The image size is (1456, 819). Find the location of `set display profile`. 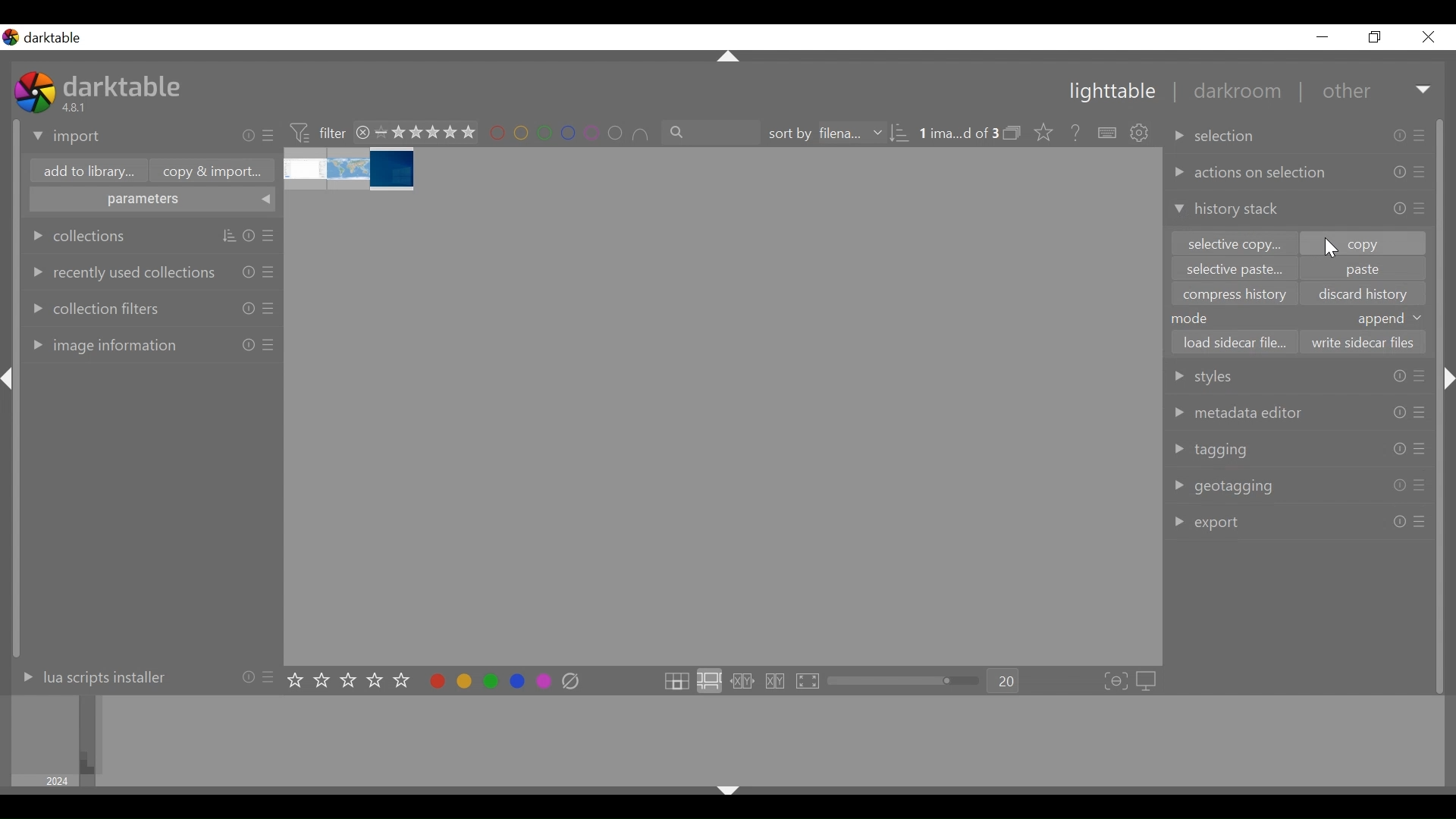

set display profile is located at coordinates (1148, 681).